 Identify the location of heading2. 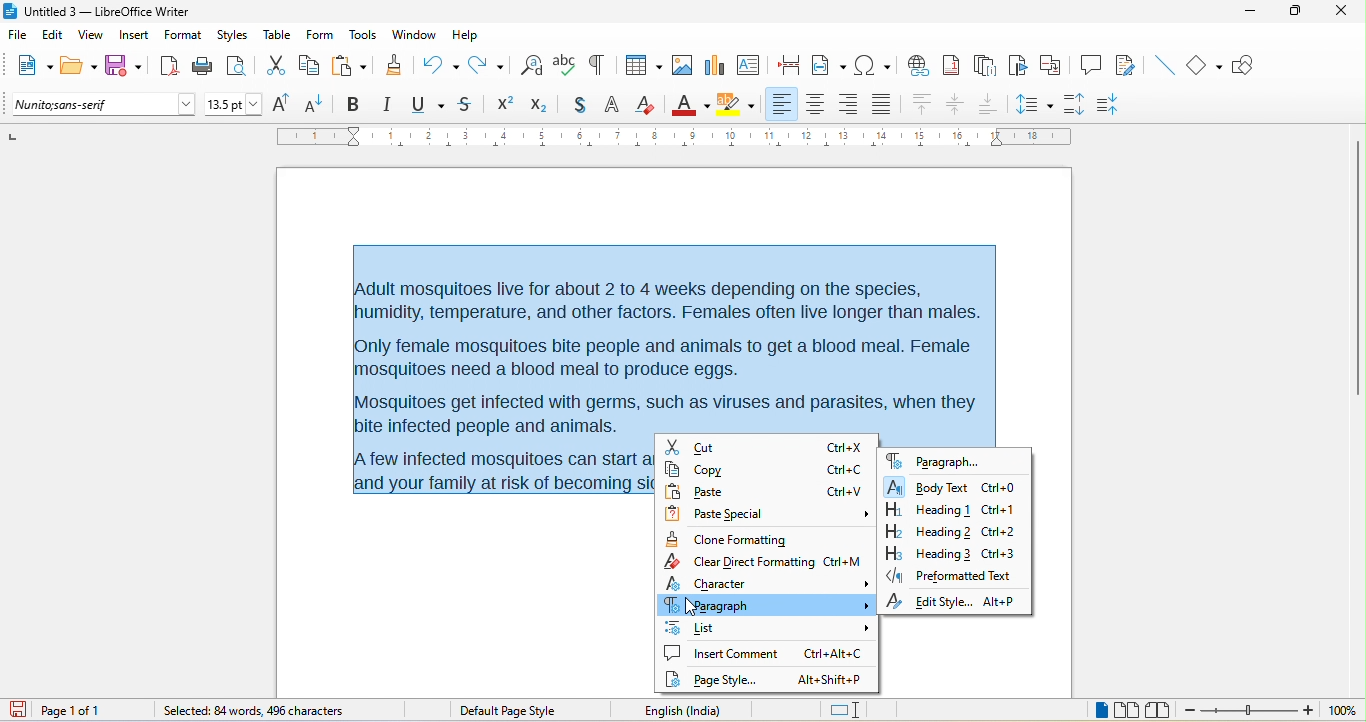
(926, 531).